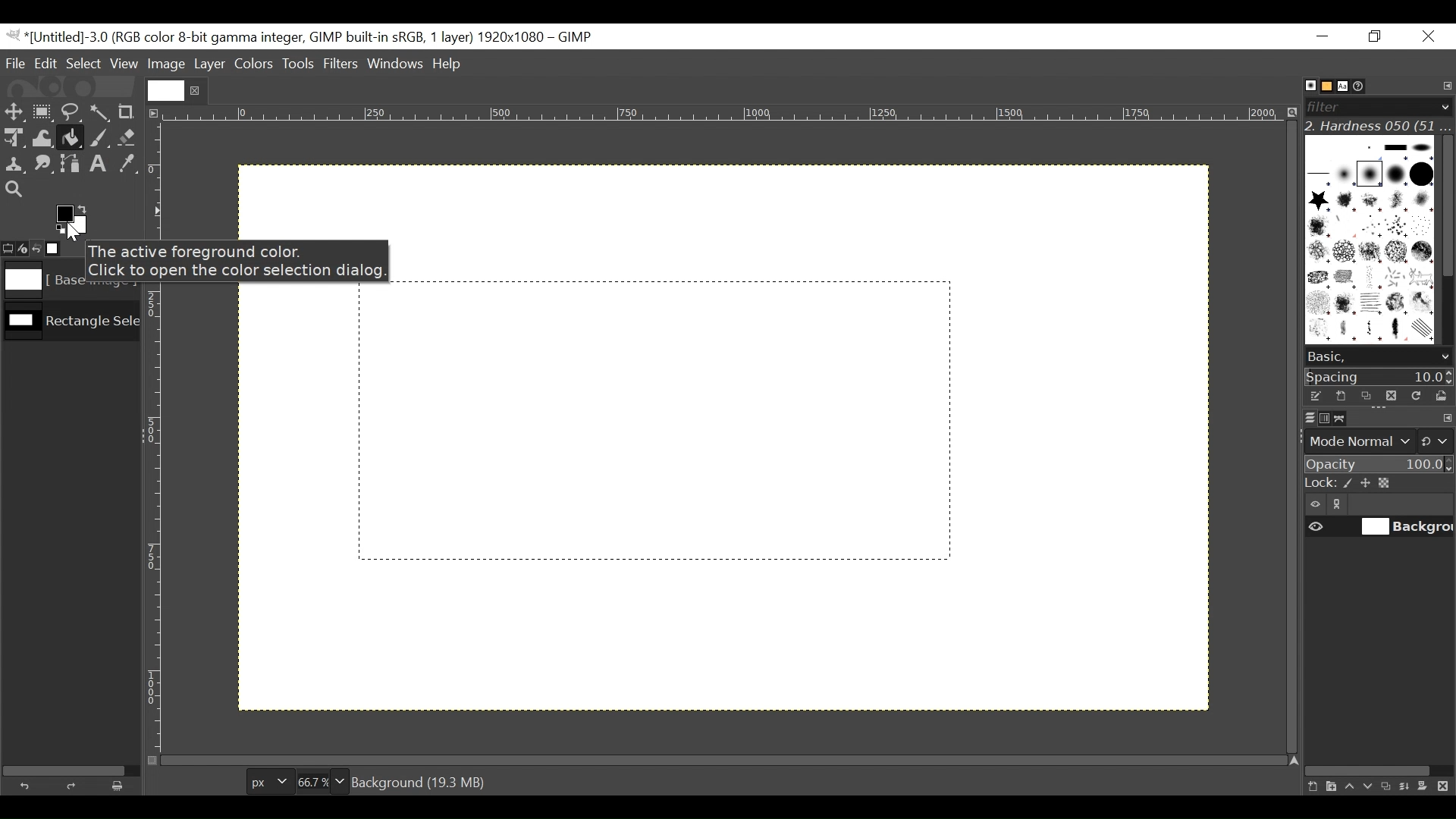 The width and height of the screenshot is (1456, 819). What do you see at coordinates (1447, 419) in the screenshot?
I see `configure this tab` at bounding box center [1447, 419].